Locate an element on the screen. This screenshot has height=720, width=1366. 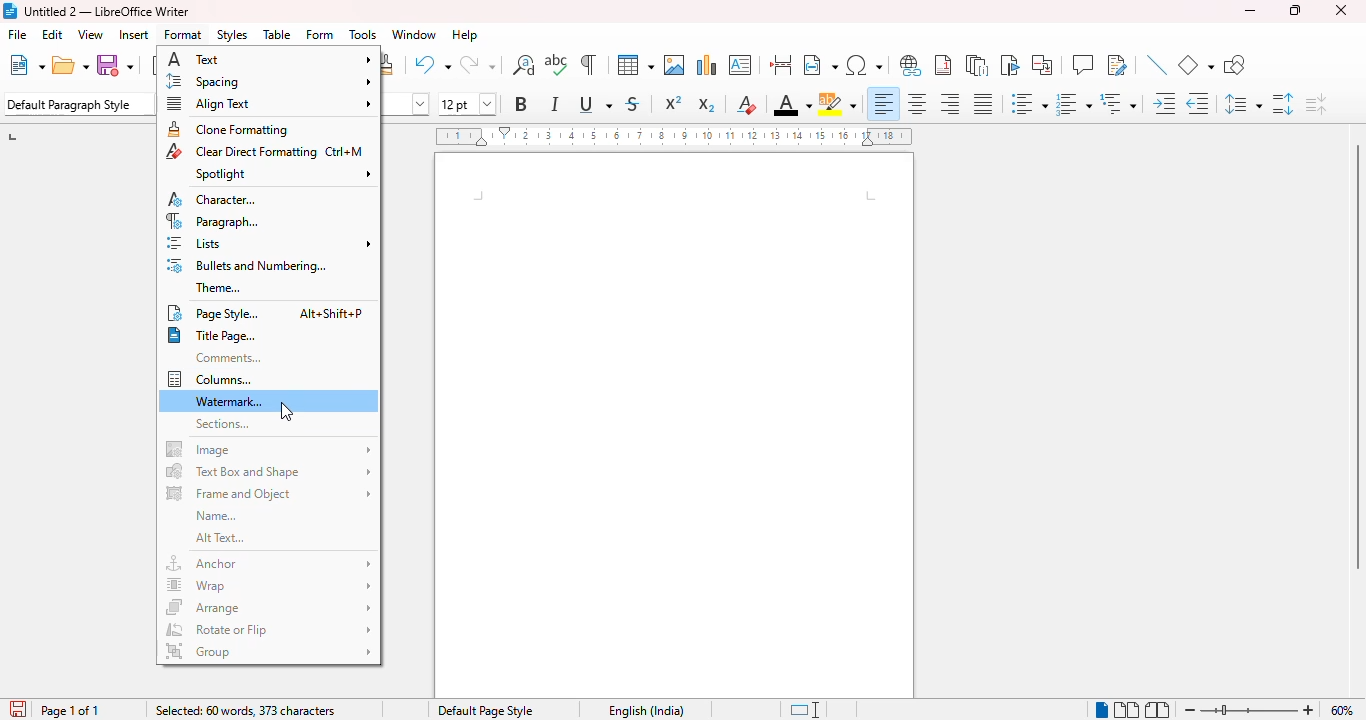
anchor is located at coordinates (268, 563).